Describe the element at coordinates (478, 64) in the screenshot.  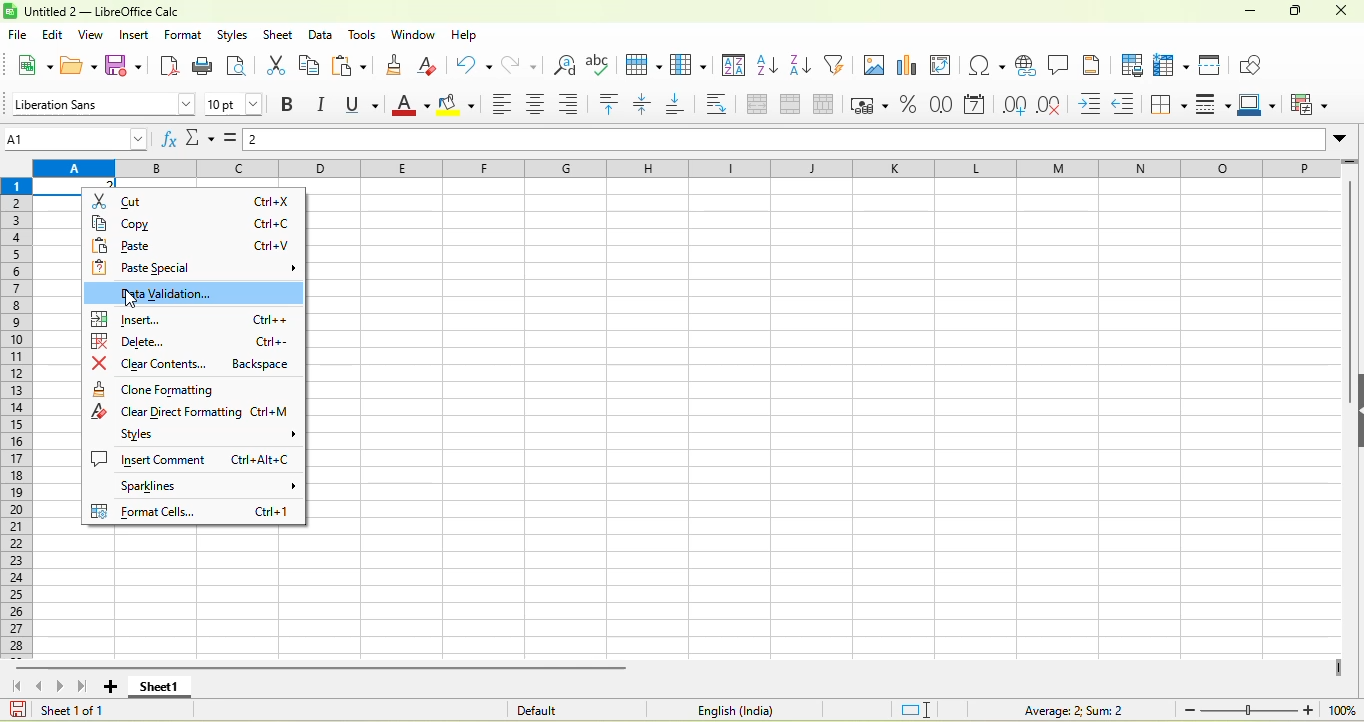
I see `undo` at that location.